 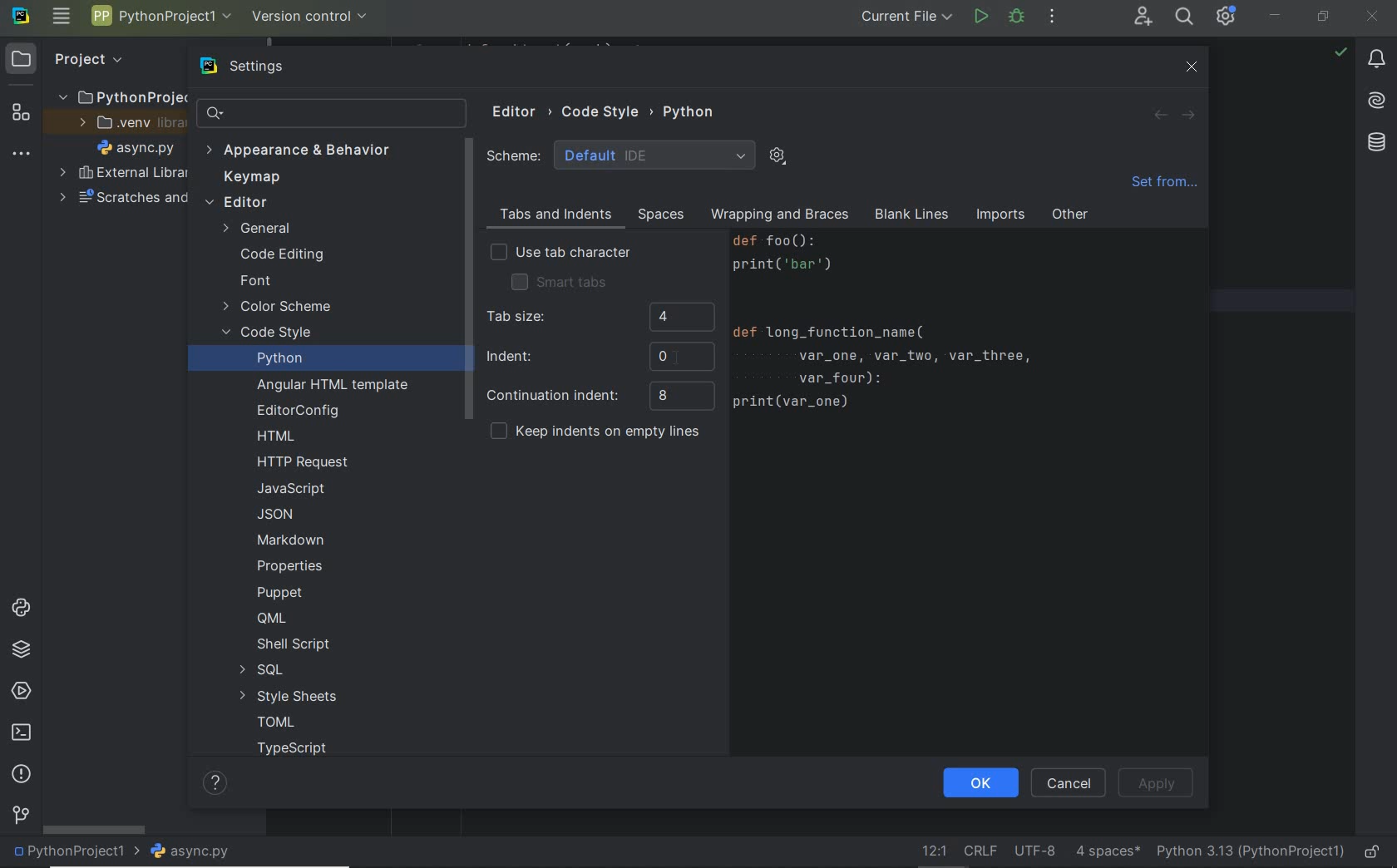 What do you see at coordinates (1069, 784) in the screenshot?
I see `cancel` at bounding box center [1069, 784].